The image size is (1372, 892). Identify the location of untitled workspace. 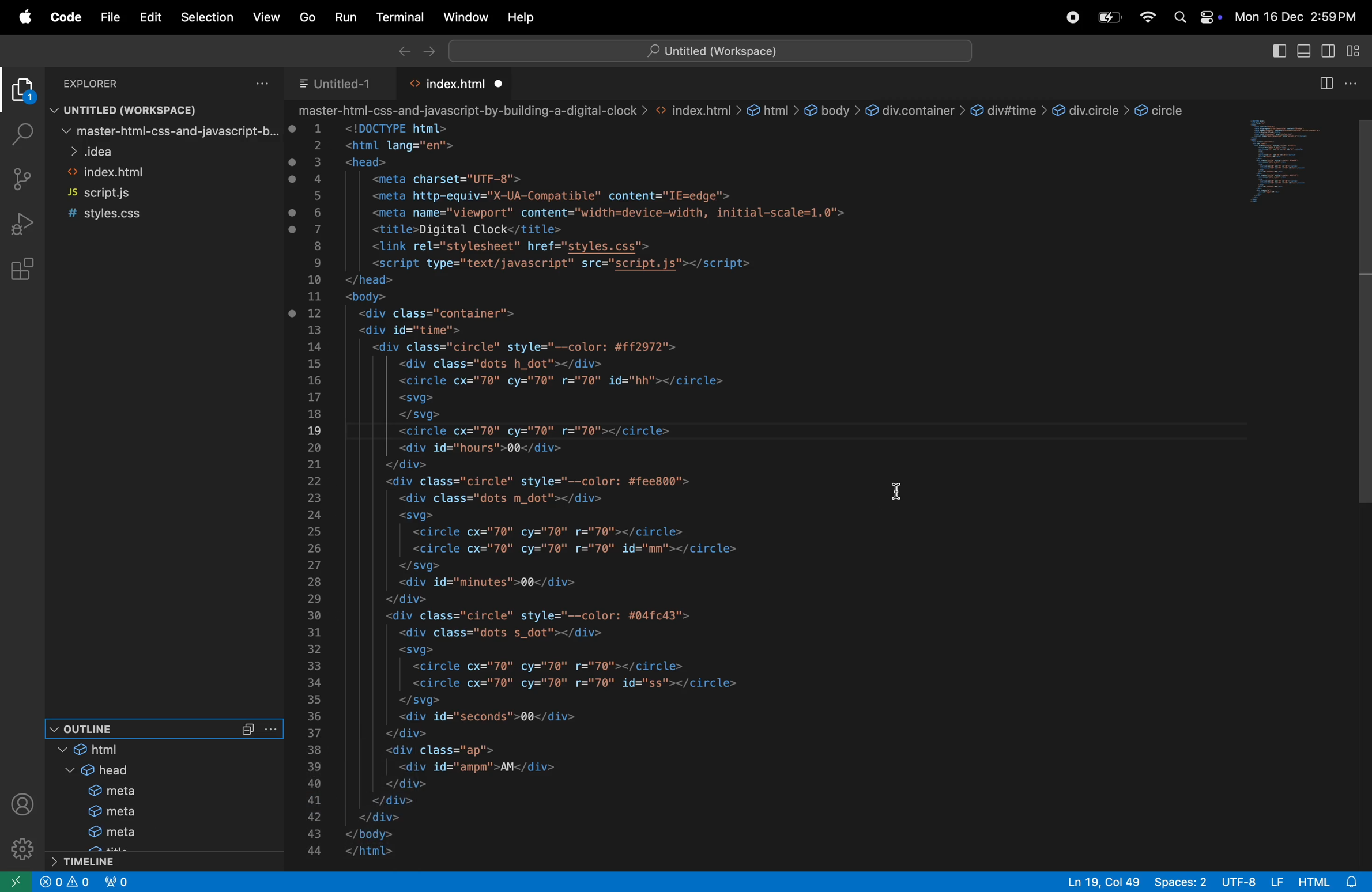
(708, 51).